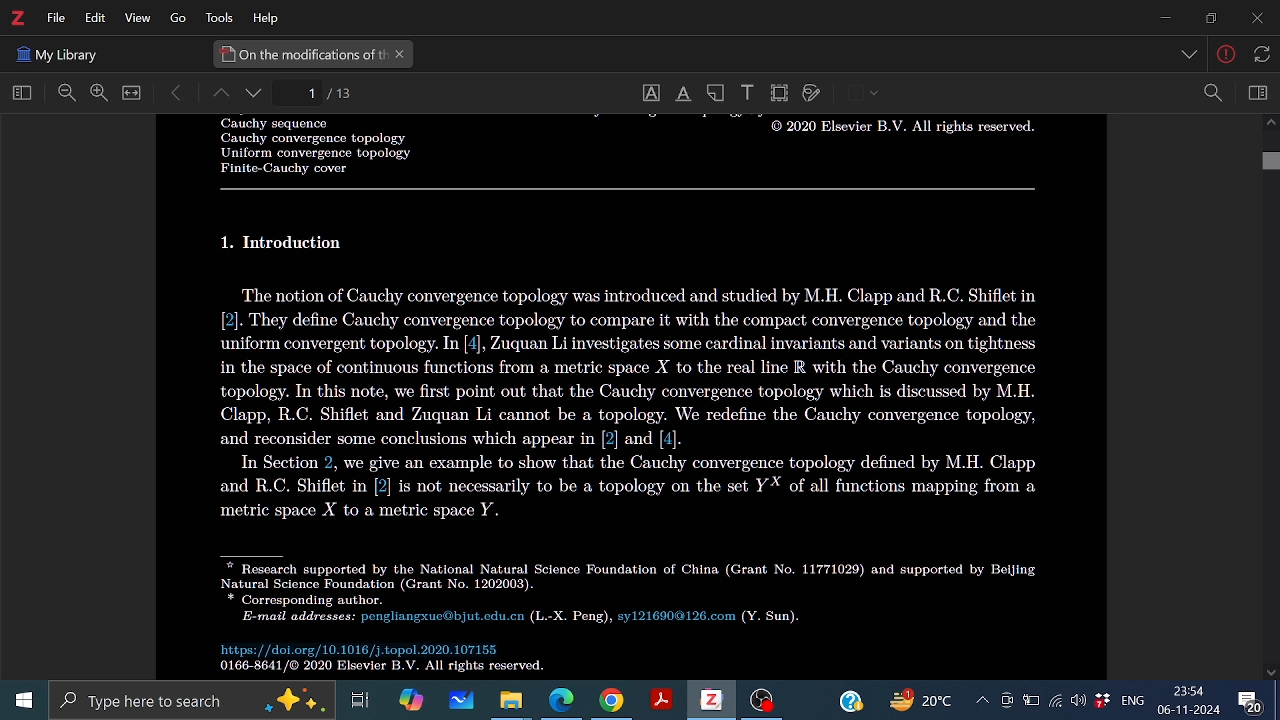  What do you see at coordinates (1164, 19) in the screenshot?
I see `Minmize` at bounding box center [1164, 19].